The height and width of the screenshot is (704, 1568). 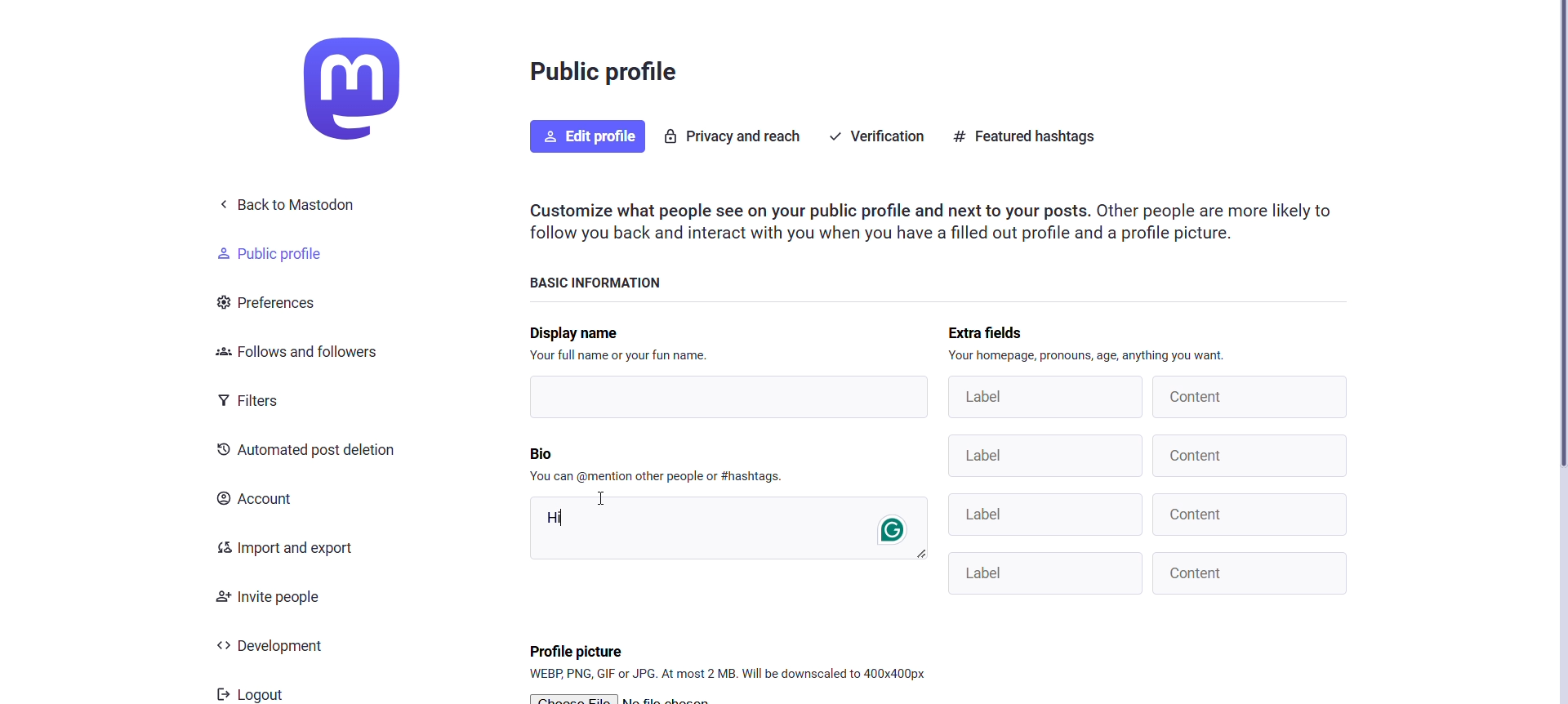 What do you see at coordinates (286, 646) in the screenshot?
I see `Development` at bounding box center [286, 646].